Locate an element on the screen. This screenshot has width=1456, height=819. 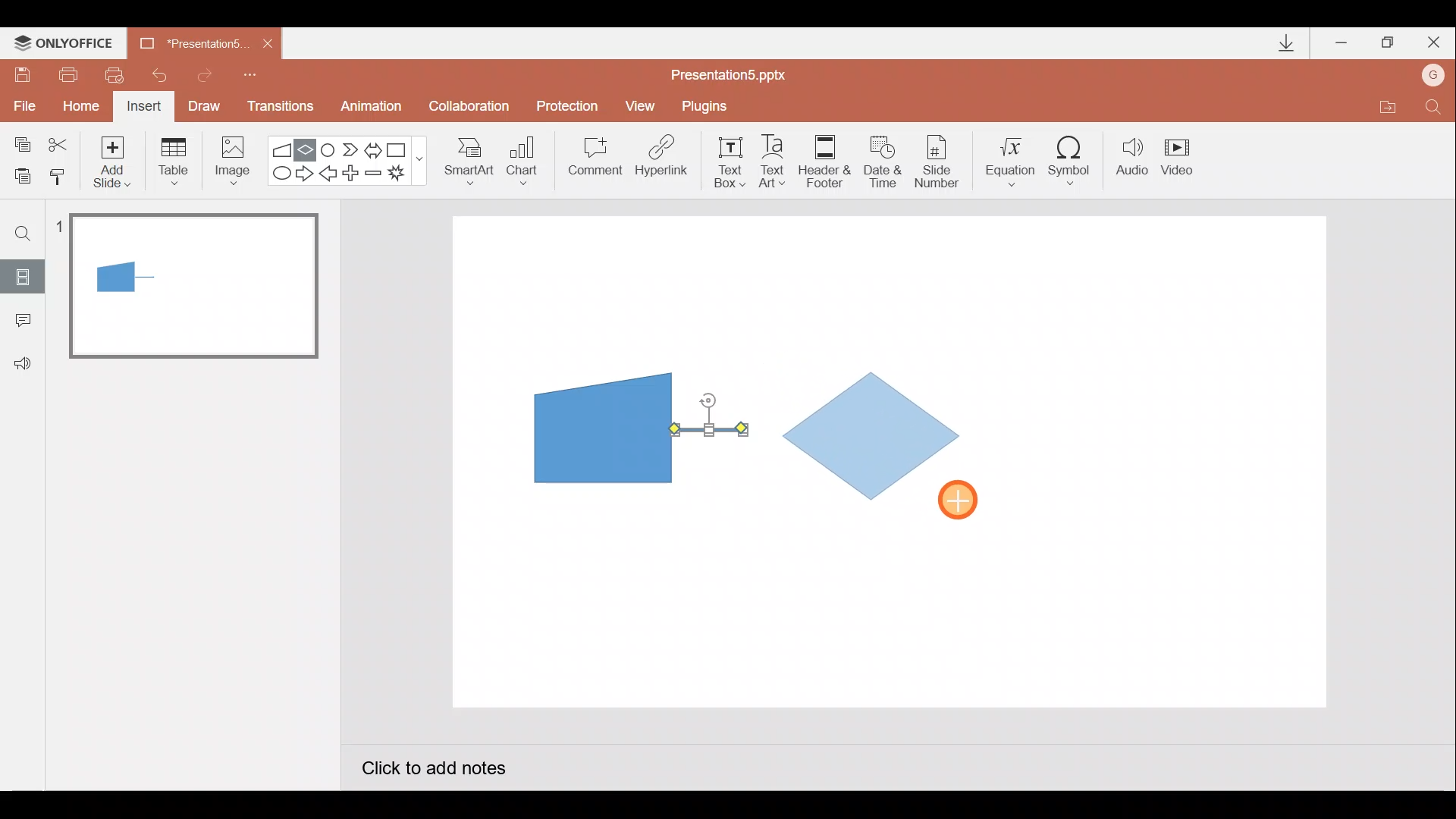
Protection is located at coordinates (572, 105).